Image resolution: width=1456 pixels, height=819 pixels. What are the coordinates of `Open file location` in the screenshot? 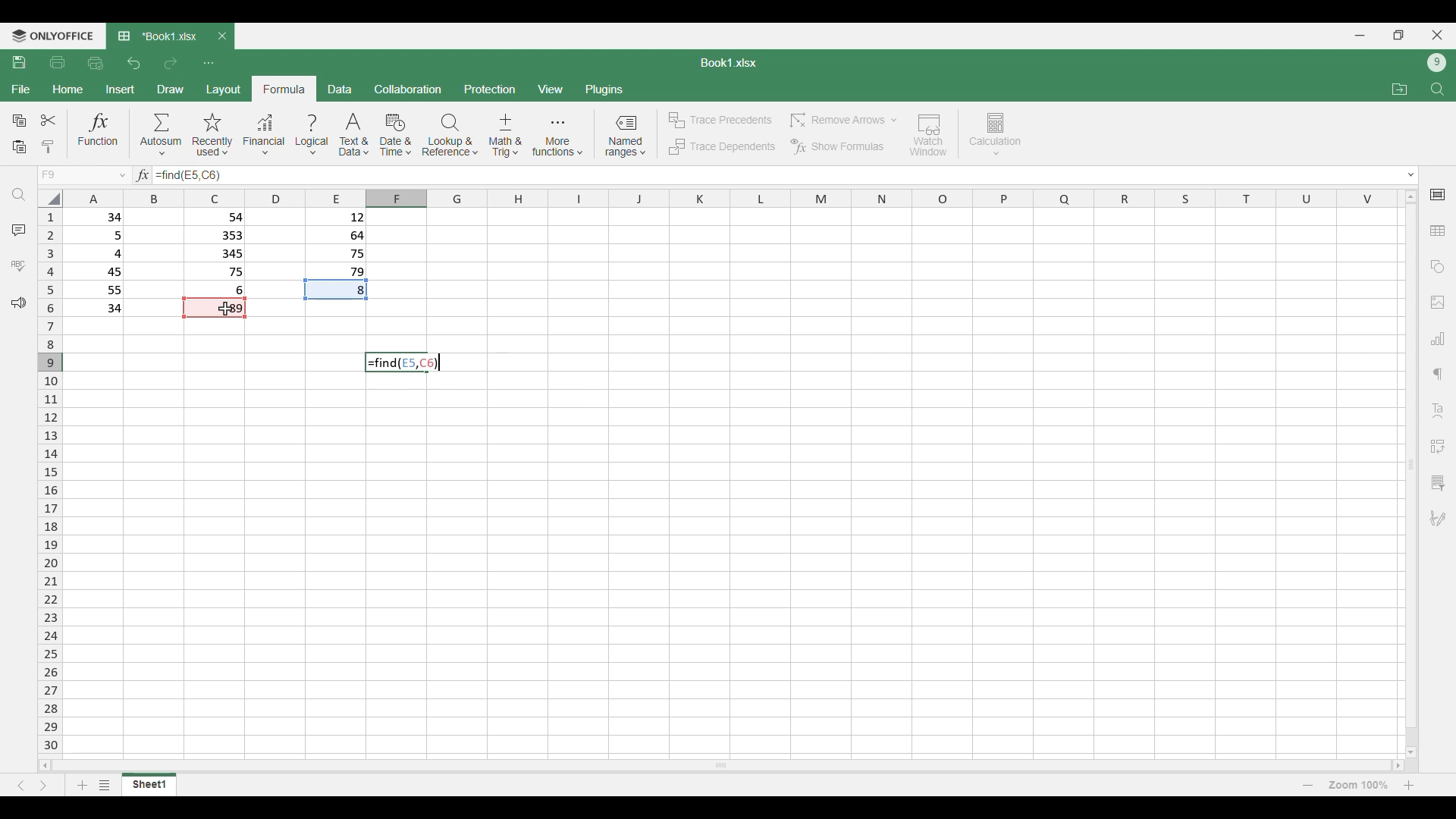 It's located at (1400, 89).